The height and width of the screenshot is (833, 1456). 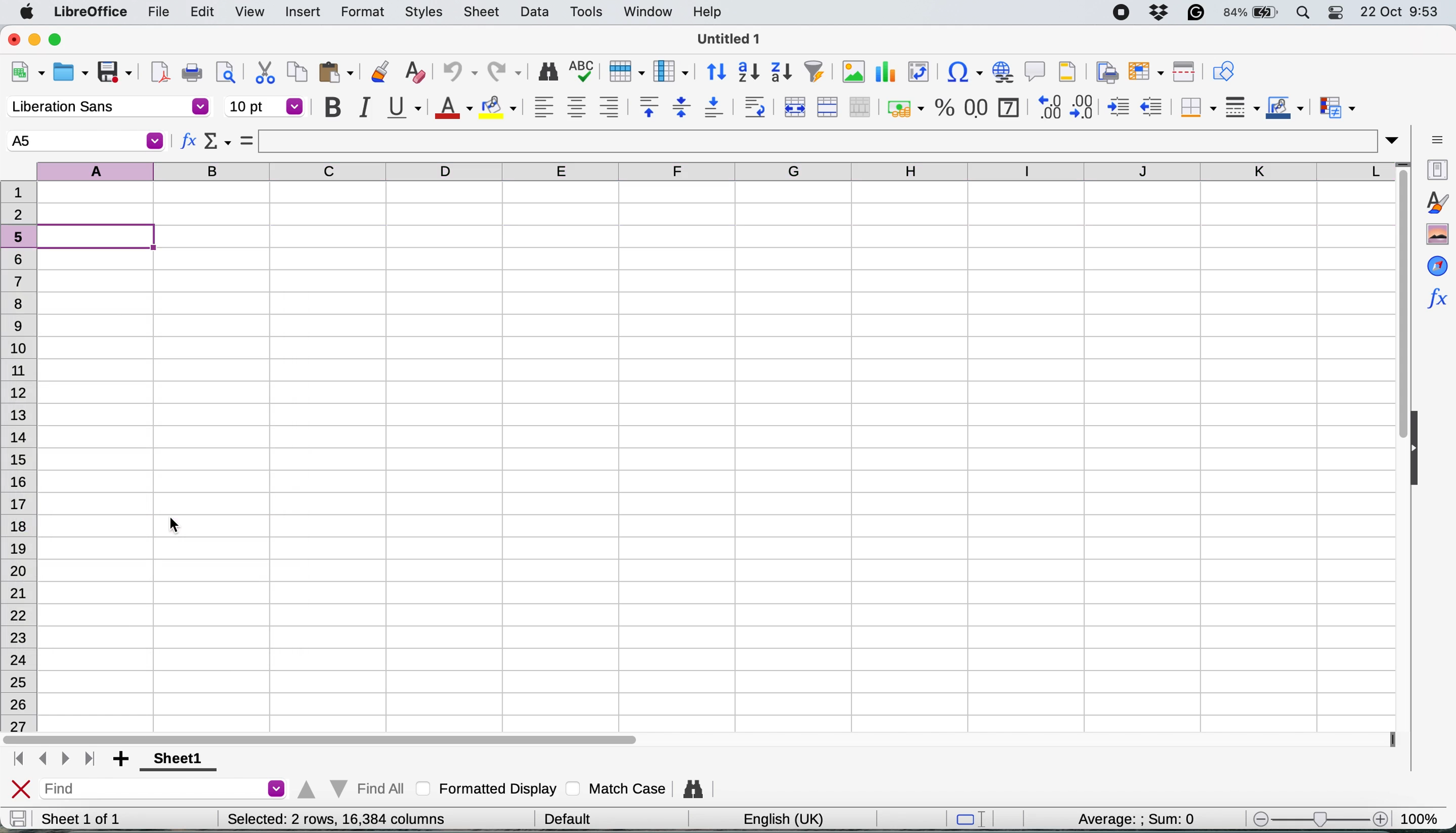 What do you see at coordinates (403, 106) in the screenshot?
I see `underline` at bounding box center [403, 106].